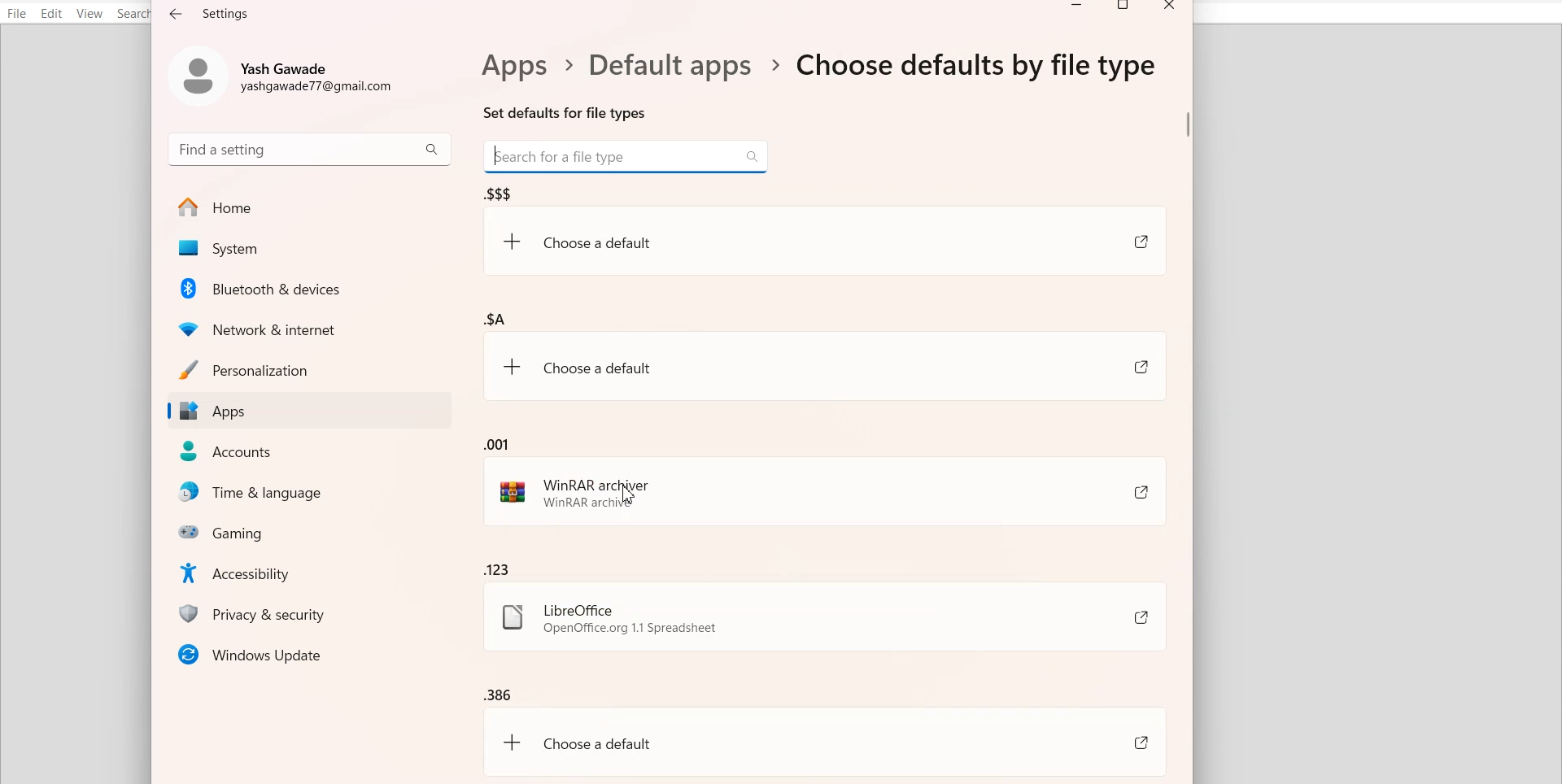 This screenshot has width=1562, height=784. I want to click on Text, so click(211, 13).